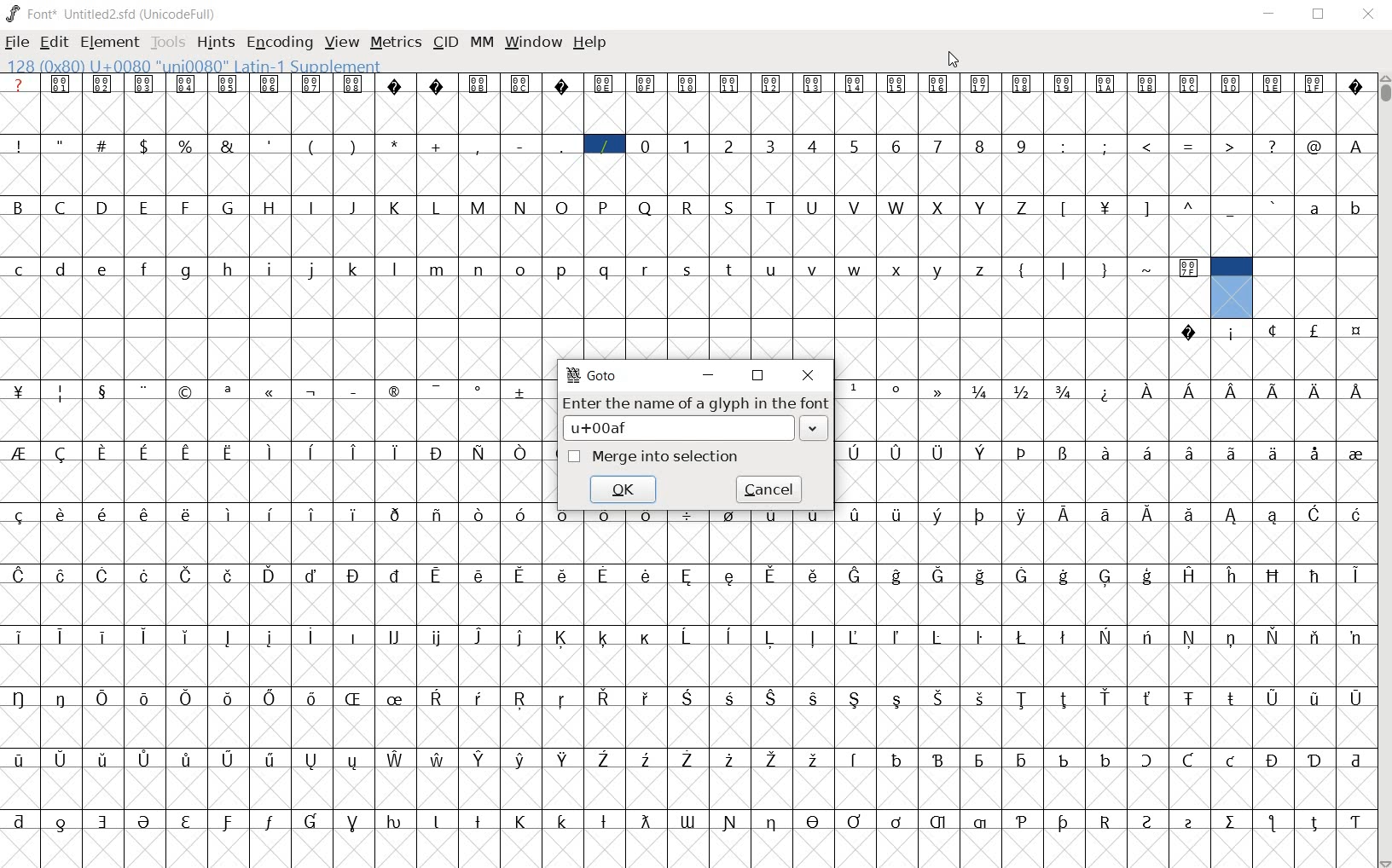 The width and height of the screenshot is (1392, 868). I want to click on F, so click(188, 206).